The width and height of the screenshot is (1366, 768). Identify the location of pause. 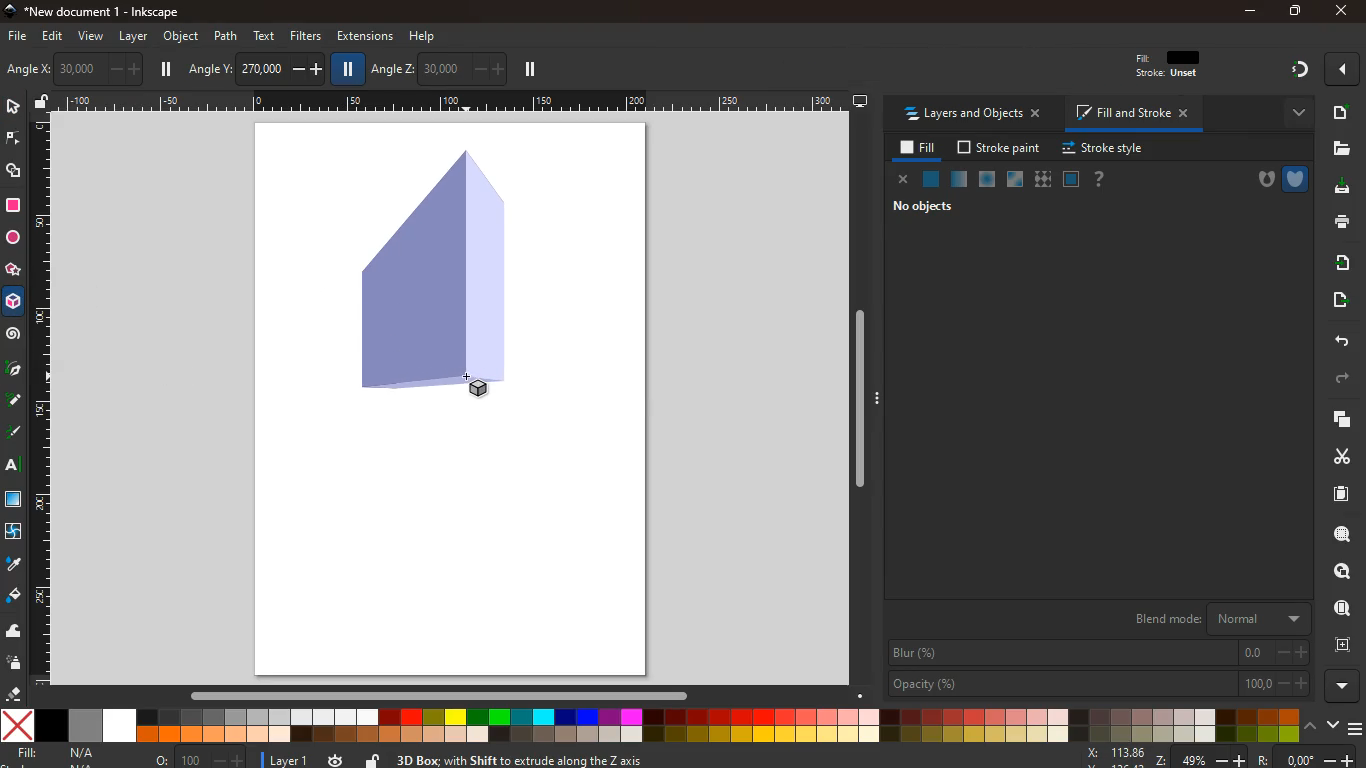
(529, 70).